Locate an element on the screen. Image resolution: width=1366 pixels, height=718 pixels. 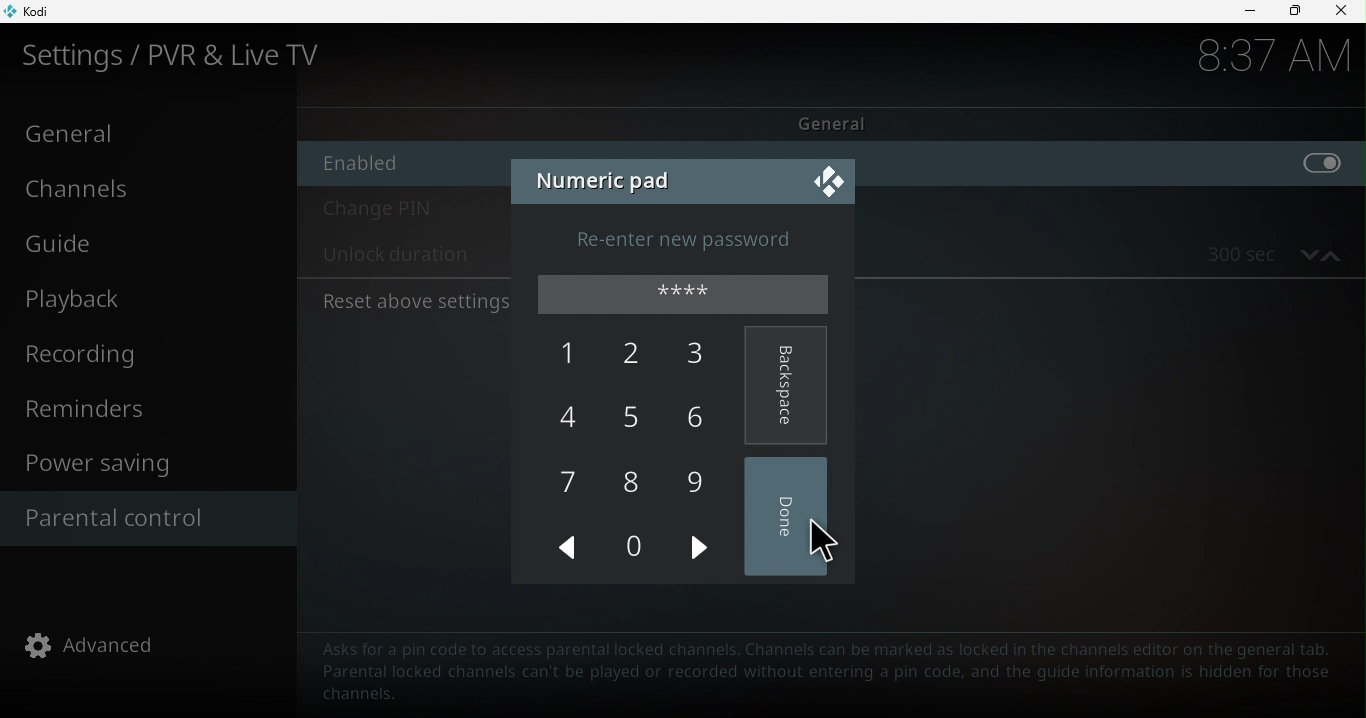
8 is located at coordinates (635, 481).